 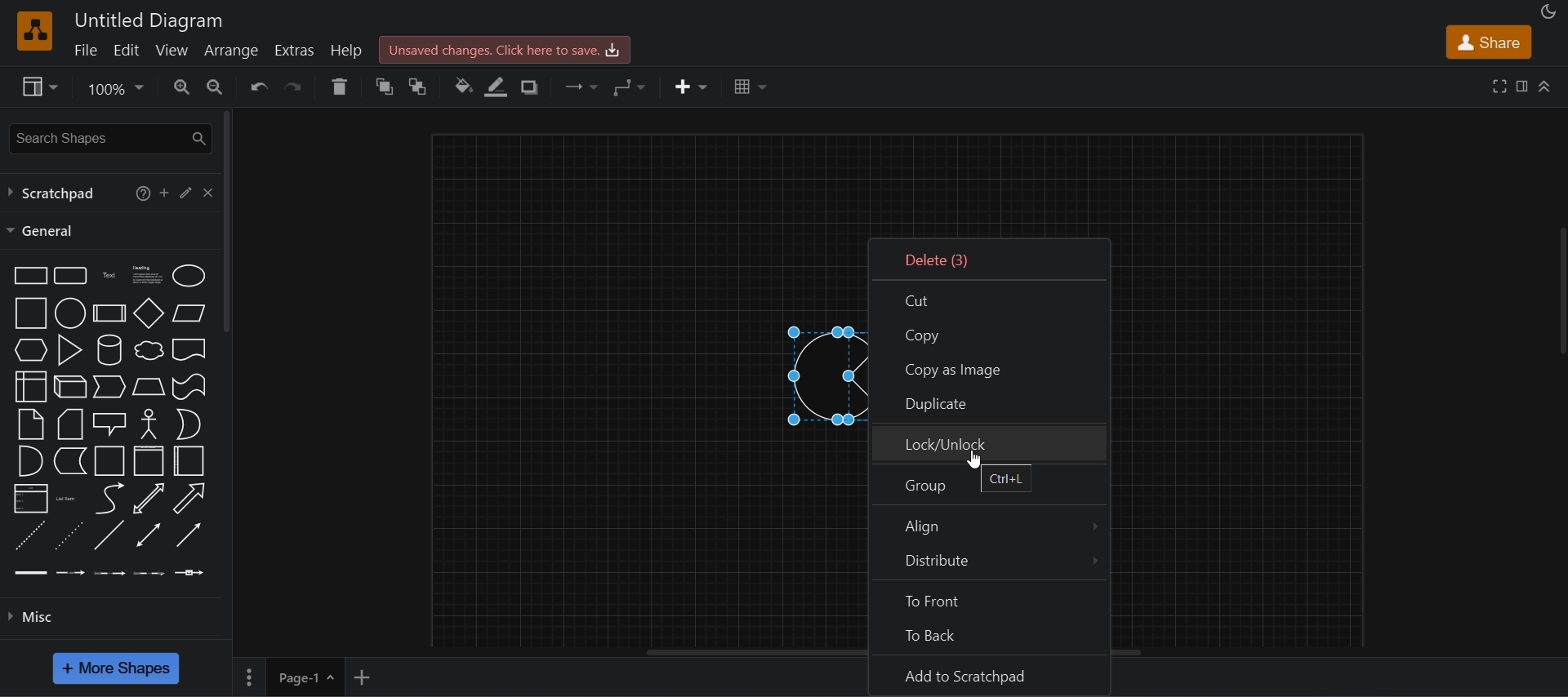 I want to click on delete, so click(x=339, y=87).